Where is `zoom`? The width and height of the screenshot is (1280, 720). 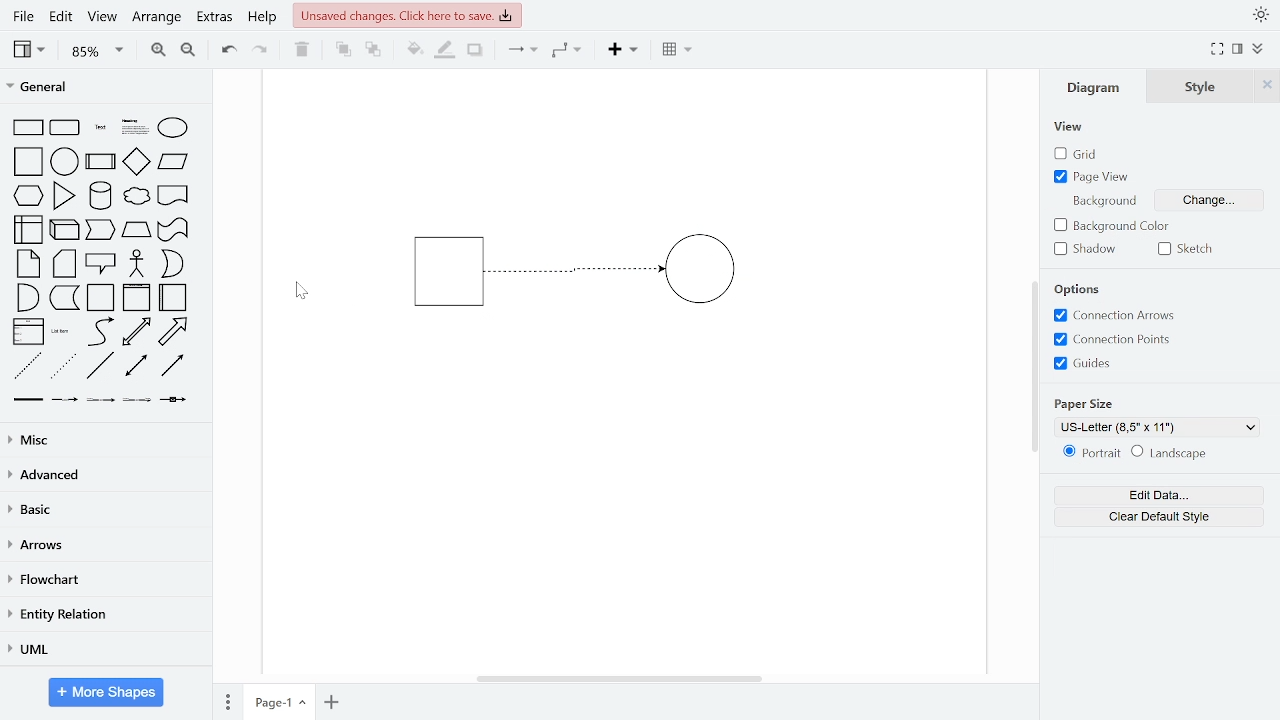 zoom is located at coordinates (98, 50).